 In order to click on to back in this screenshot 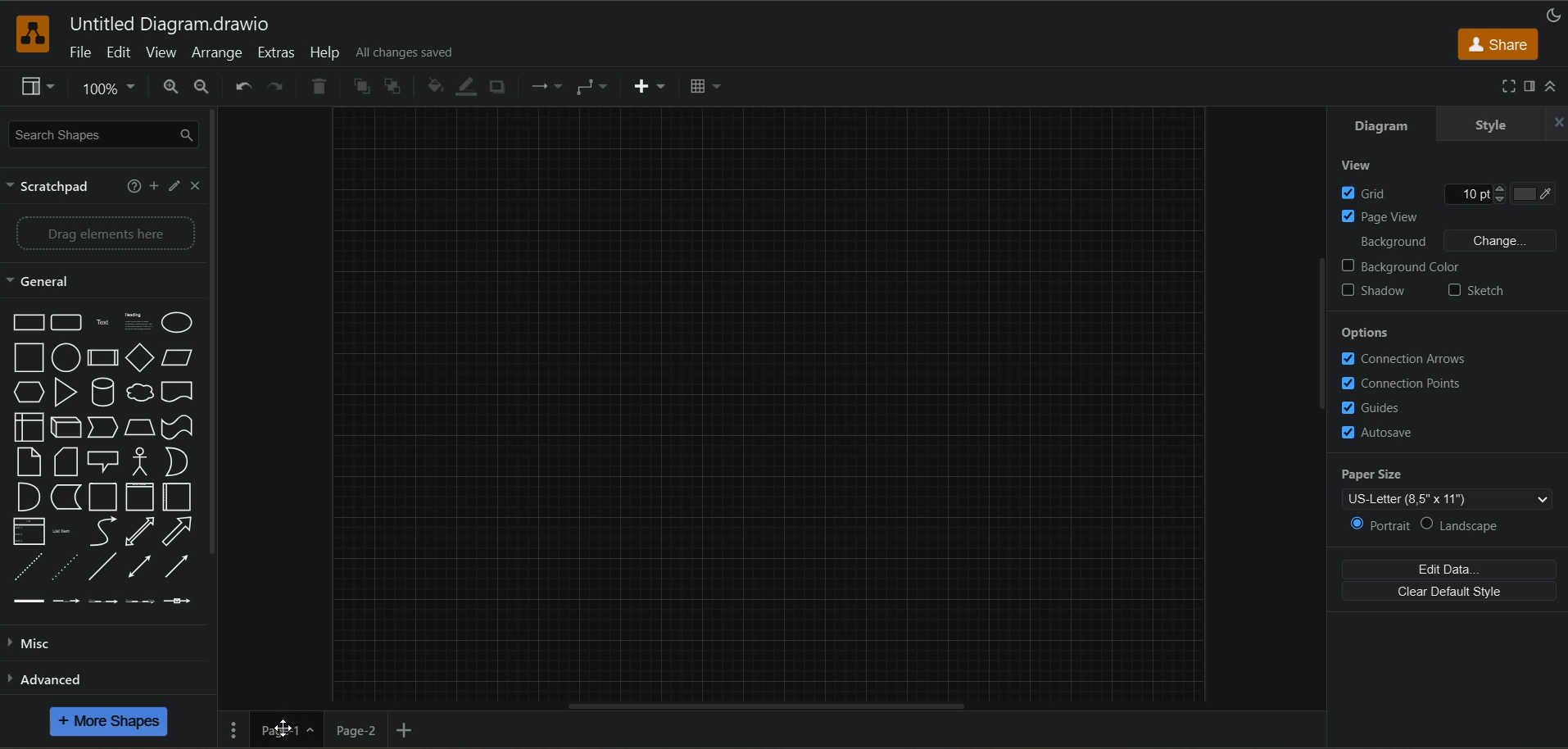, I will do `click(390, 87)`.